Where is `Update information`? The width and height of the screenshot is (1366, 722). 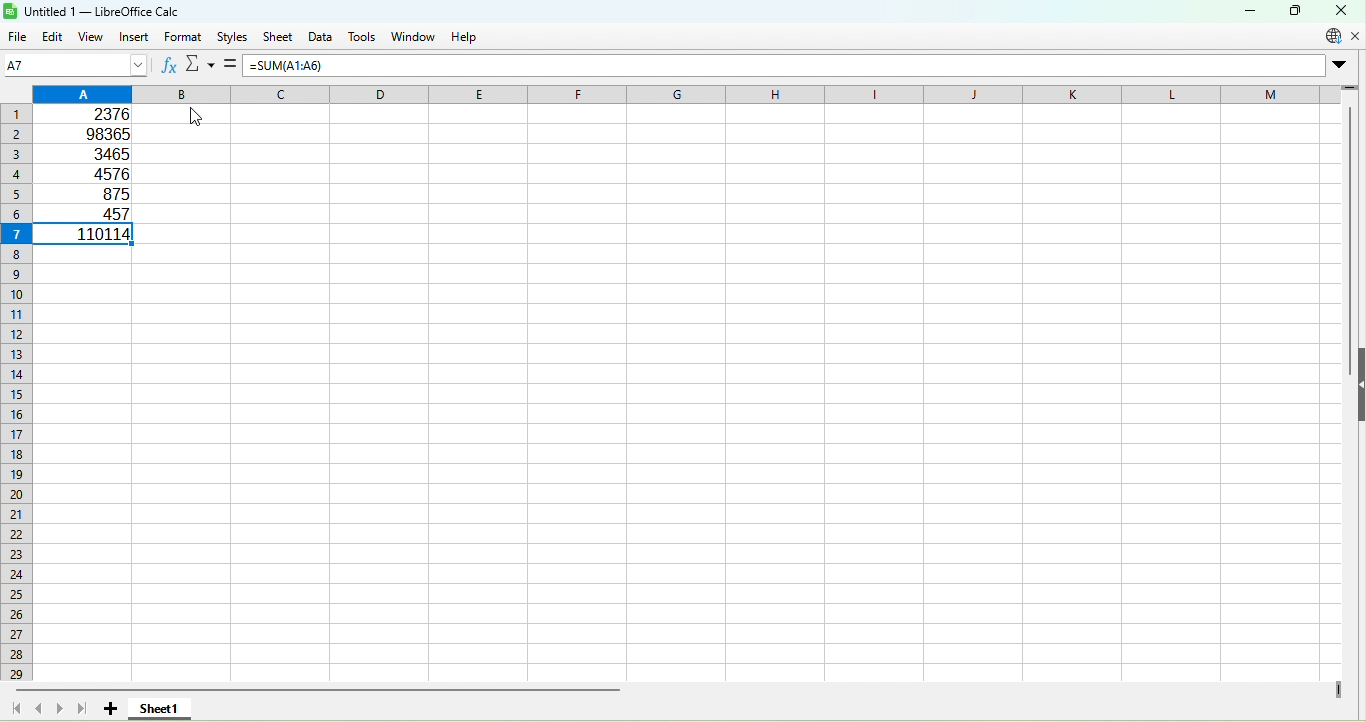 Update information is located at coordinates (1332, 37).